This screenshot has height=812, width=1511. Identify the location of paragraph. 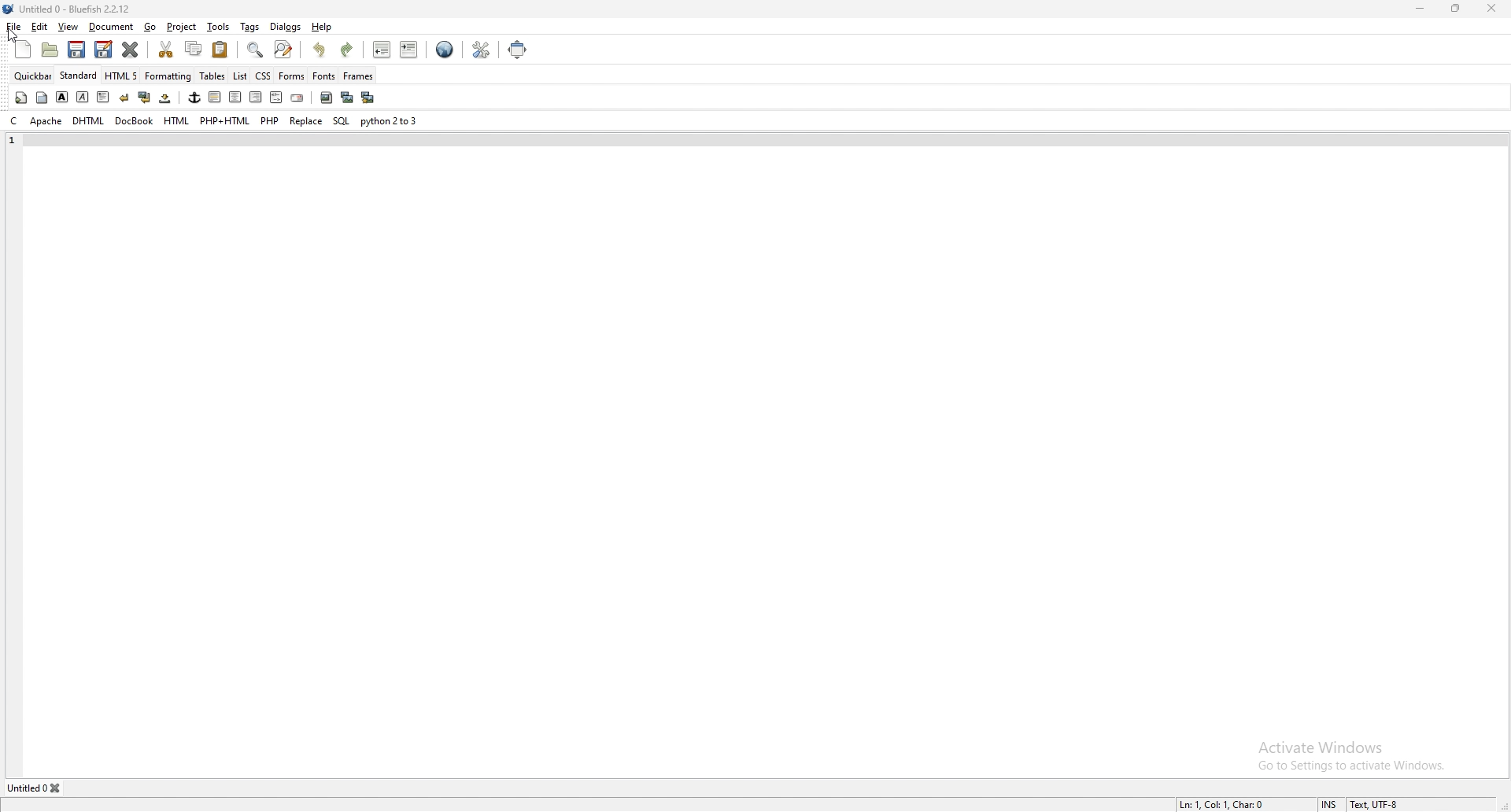
(103, 98).